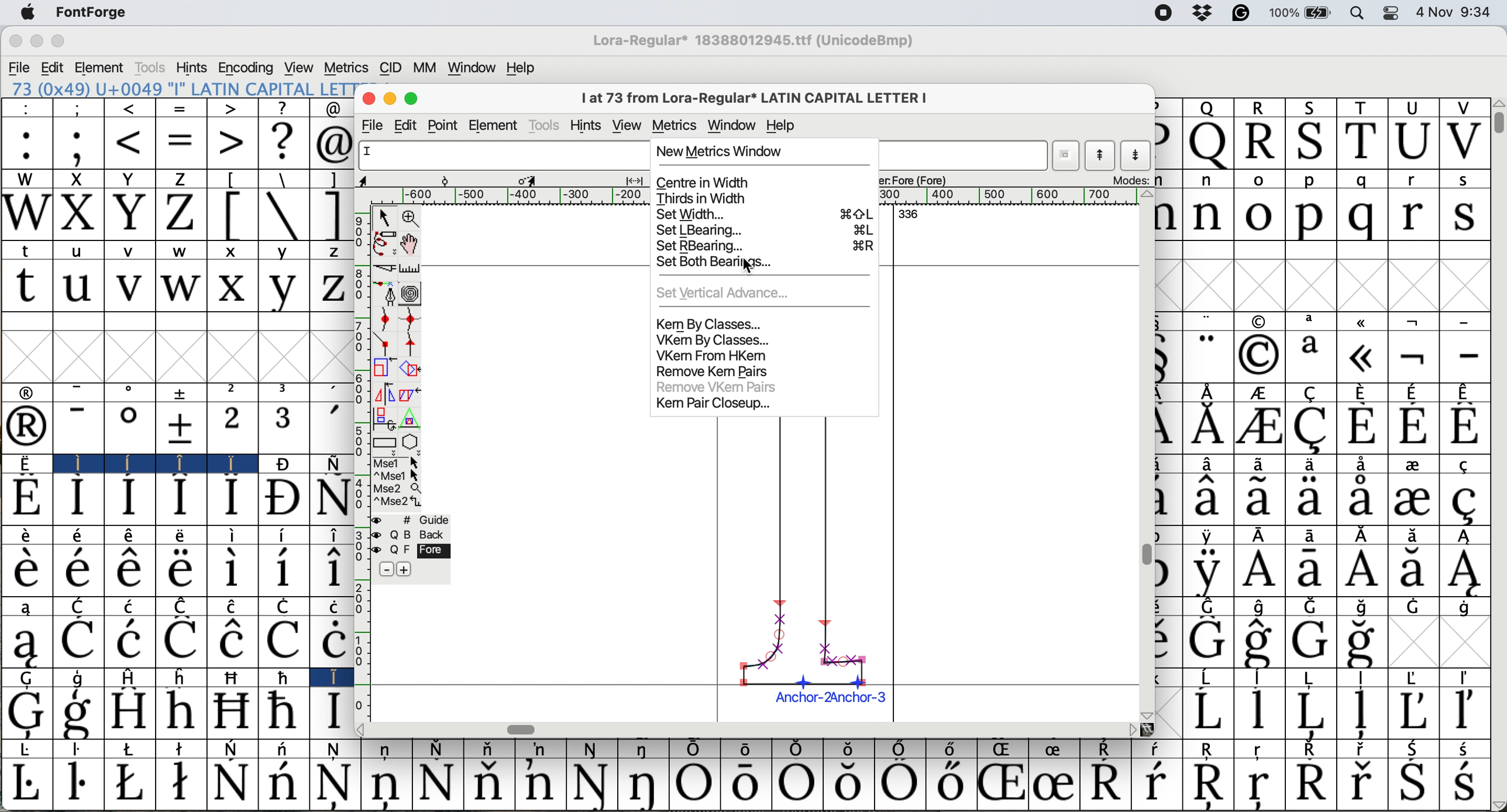 The width and height of the screenshot is (1507, 812). I want to click on H, so click(134, 677).